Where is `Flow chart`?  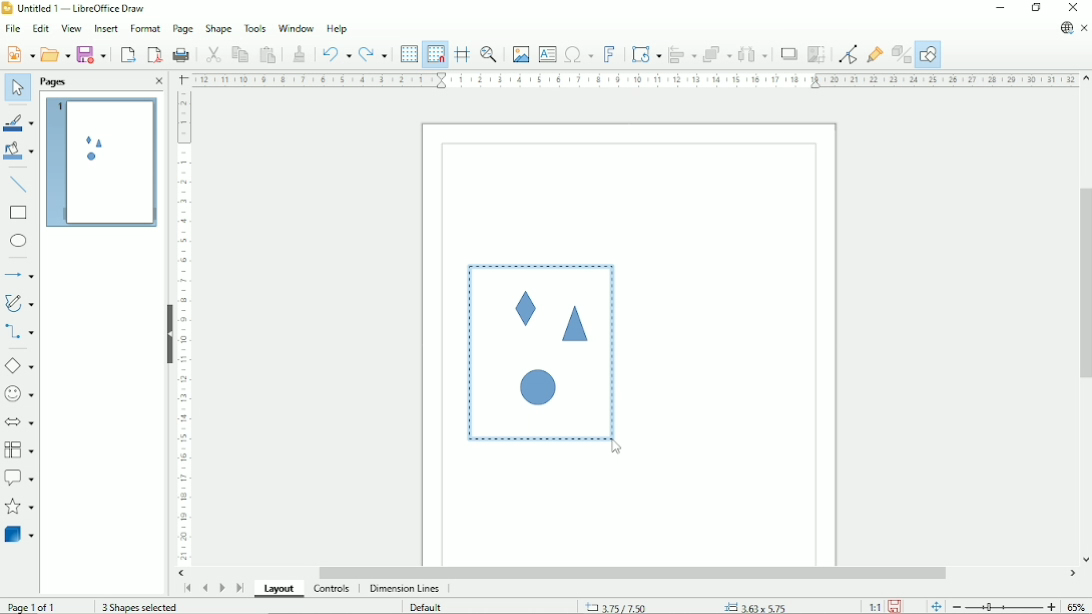 Flow chart is located at coordinates (19, 450).